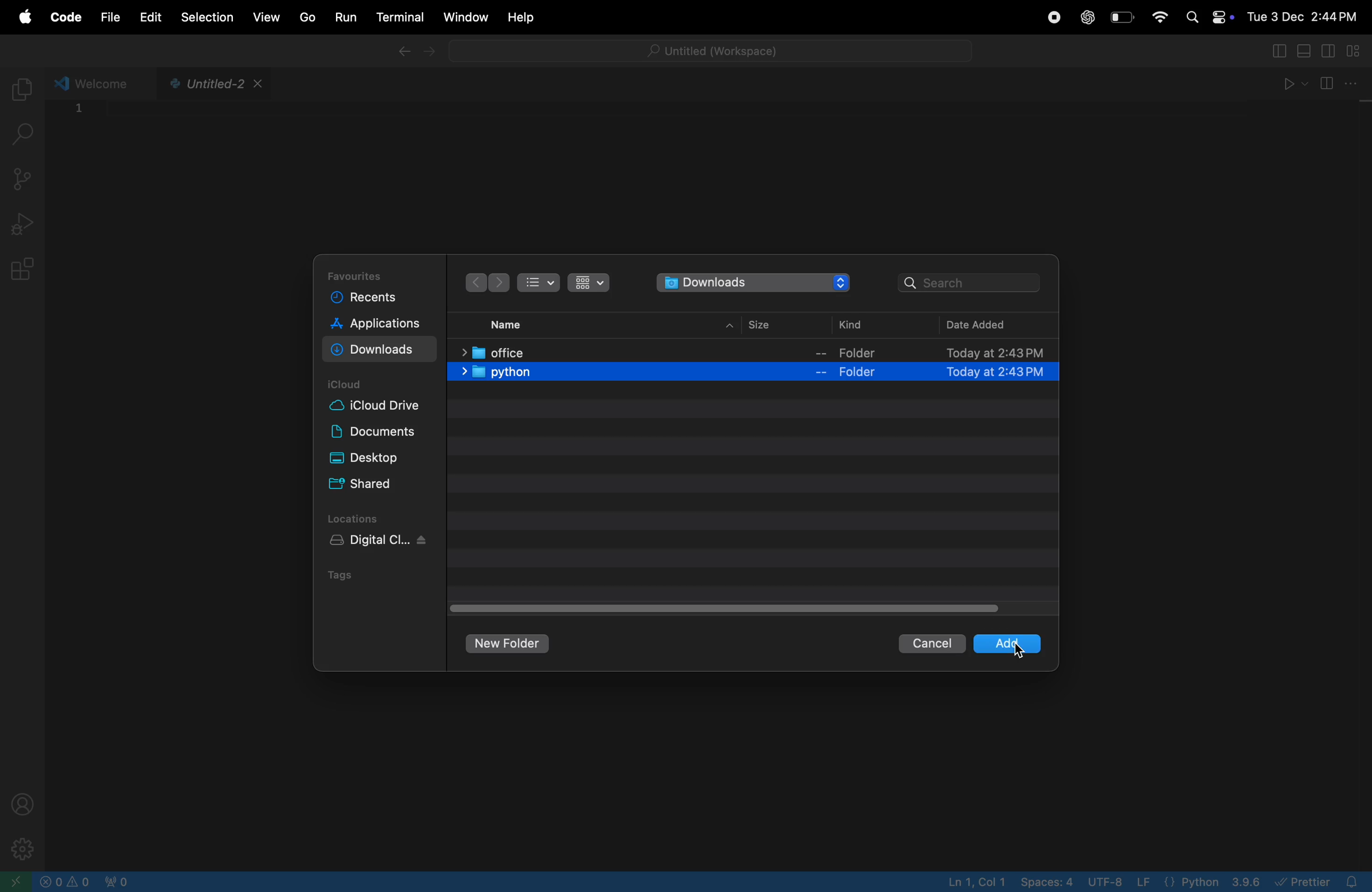 Image resolution: width=1372 pixels, height=892 pixels. What do you see at coordinates (1124, 17) in the screenshot?
I see `battery` at bounding box center [1124, 17].